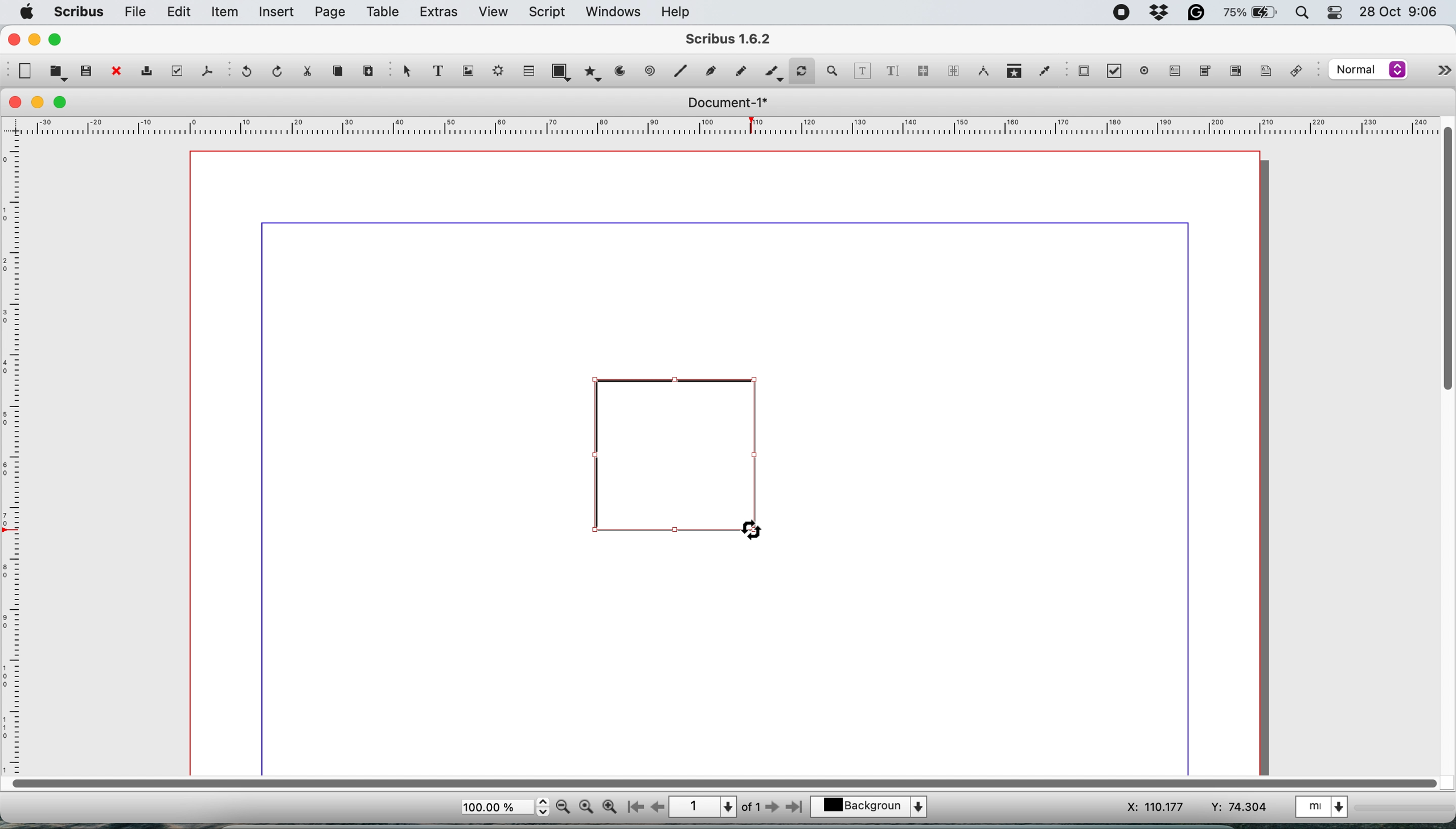 Image resolution: width=1456 pixels, height=829 pixels. What do you see at coordinates (1177, 805) in the screenshot?
I see `xy coordinates` at bounding box center [1177, 805].